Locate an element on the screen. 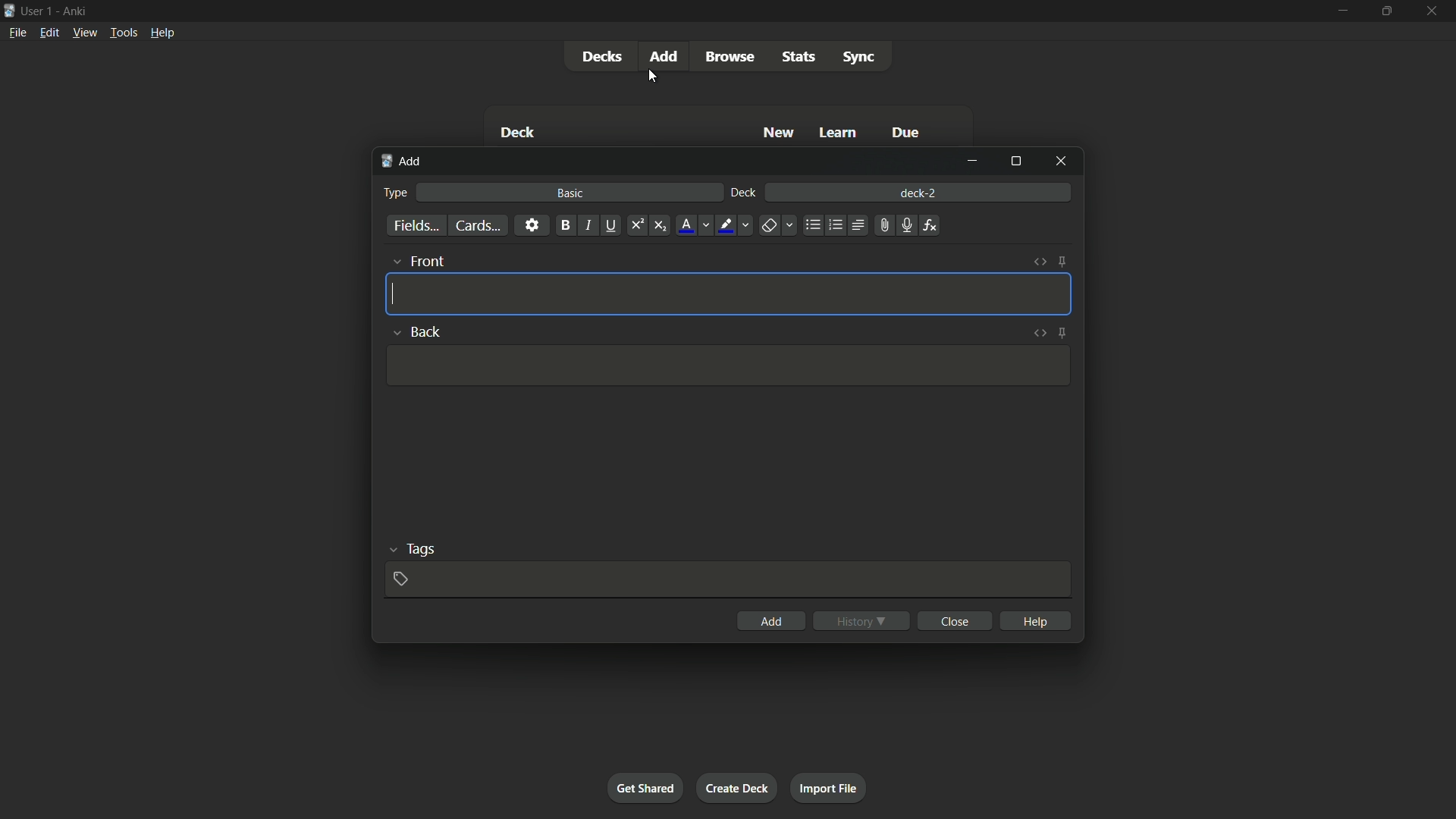 The image size is (1456, 819). maximize is located at coordinates (1385, 11).